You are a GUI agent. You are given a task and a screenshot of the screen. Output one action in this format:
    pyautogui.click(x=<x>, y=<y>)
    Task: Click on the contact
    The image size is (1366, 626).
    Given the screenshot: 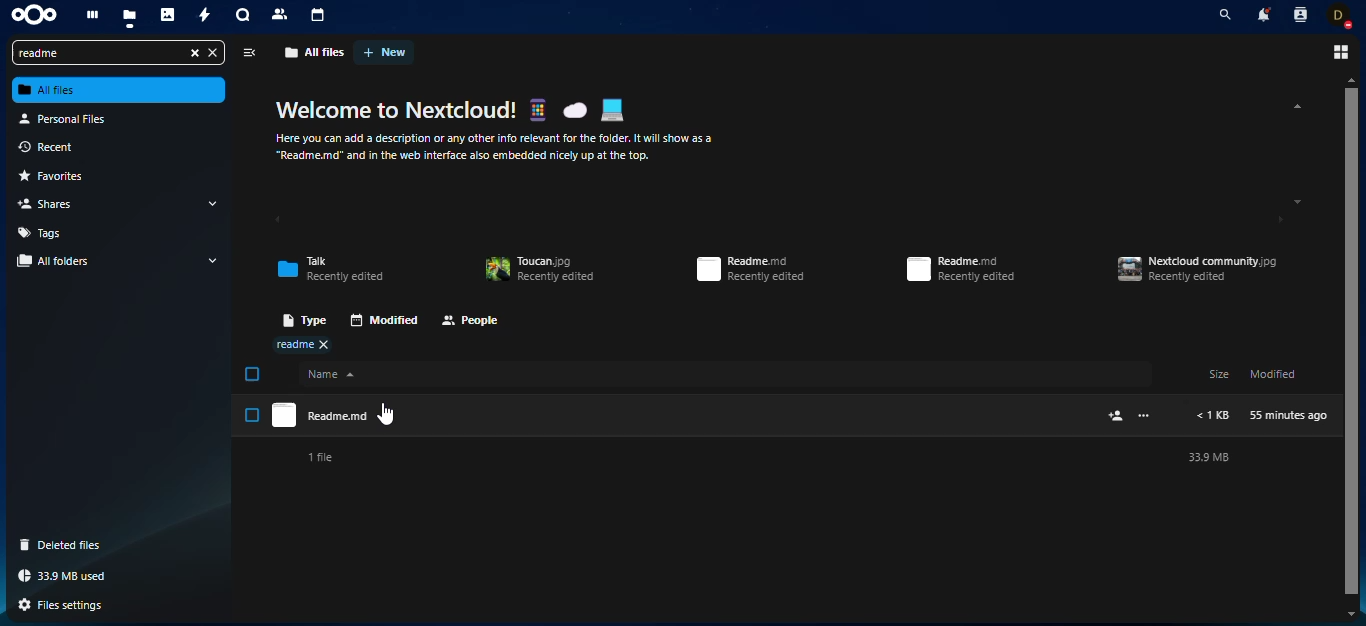 What is the action you would take?
    pyautogui.click(x=281, y=14)
    